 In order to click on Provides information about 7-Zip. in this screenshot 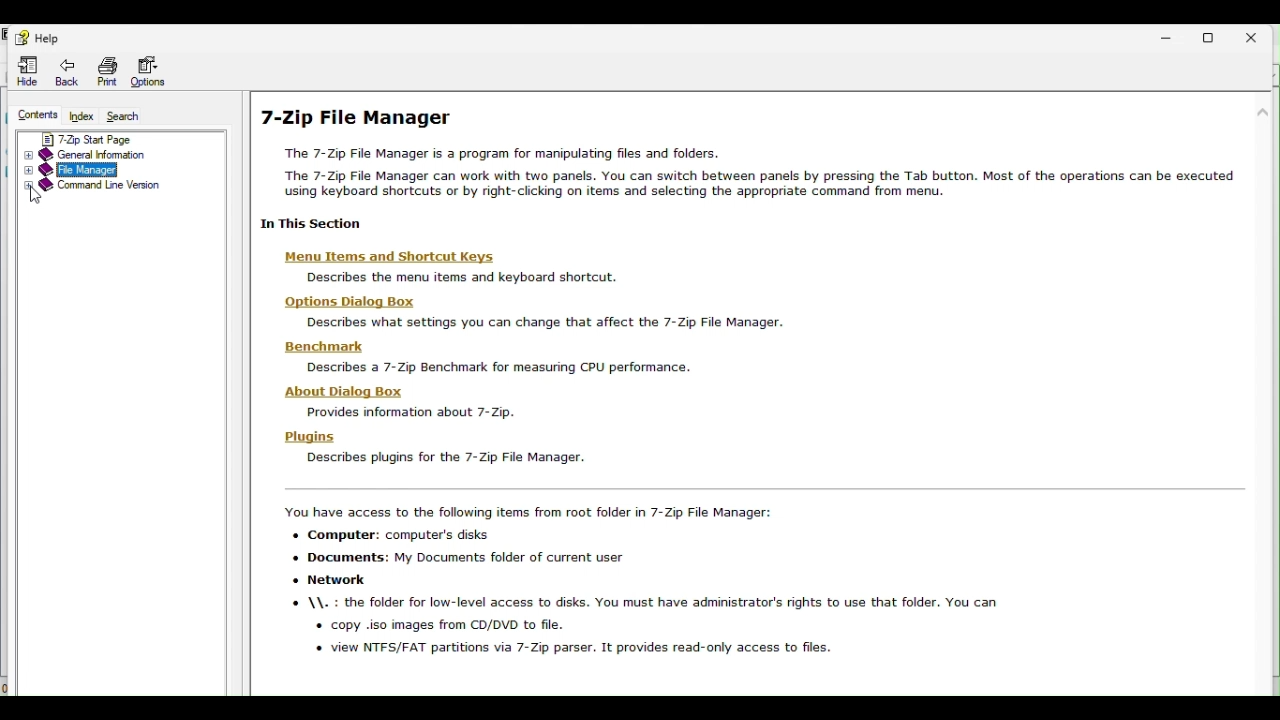, I will do `click(409, 413)`.